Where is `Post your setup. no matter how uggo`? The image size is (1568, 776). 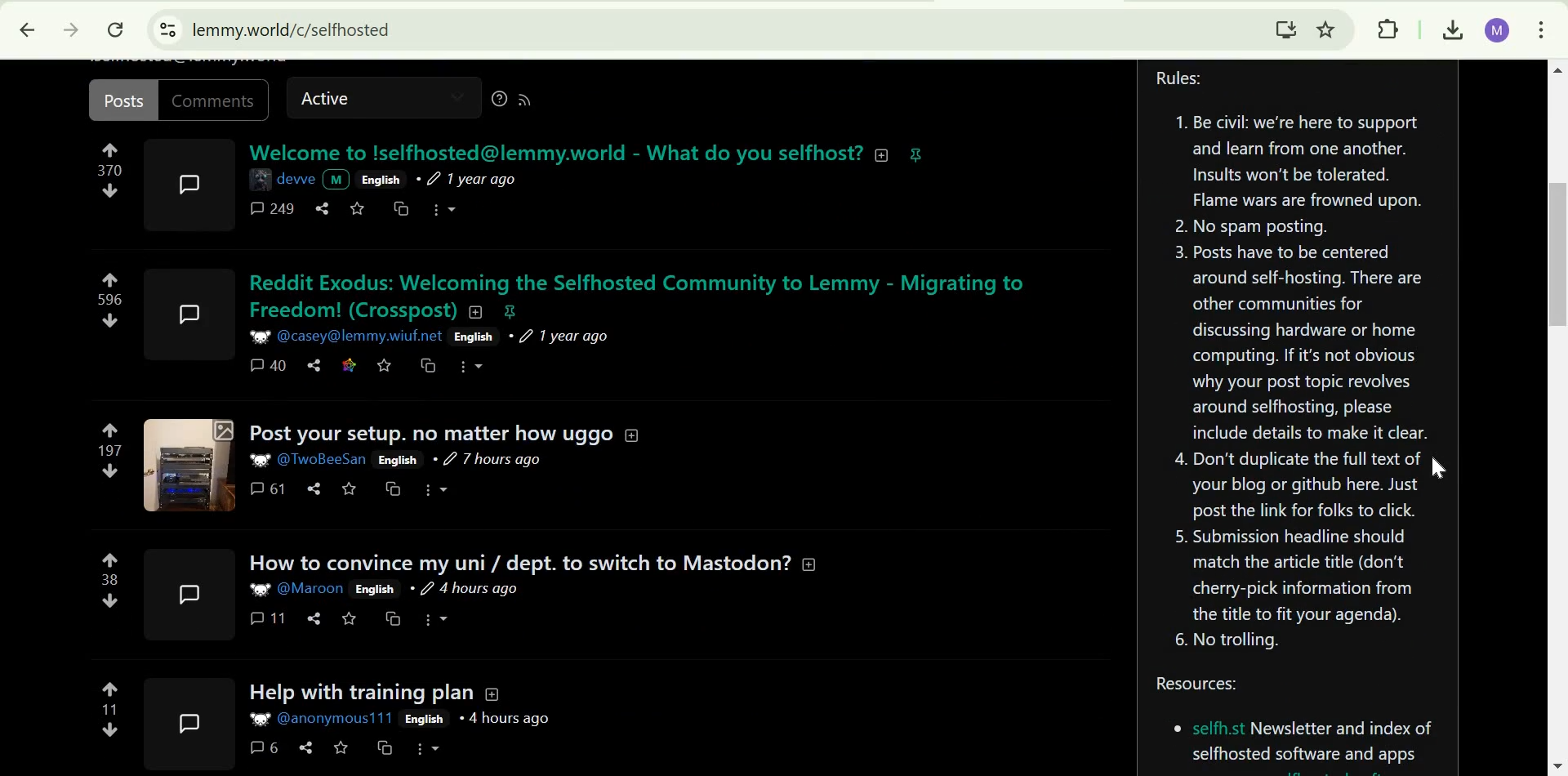 Post your setup. no matter how uggo is located at coordinates (430, 433).